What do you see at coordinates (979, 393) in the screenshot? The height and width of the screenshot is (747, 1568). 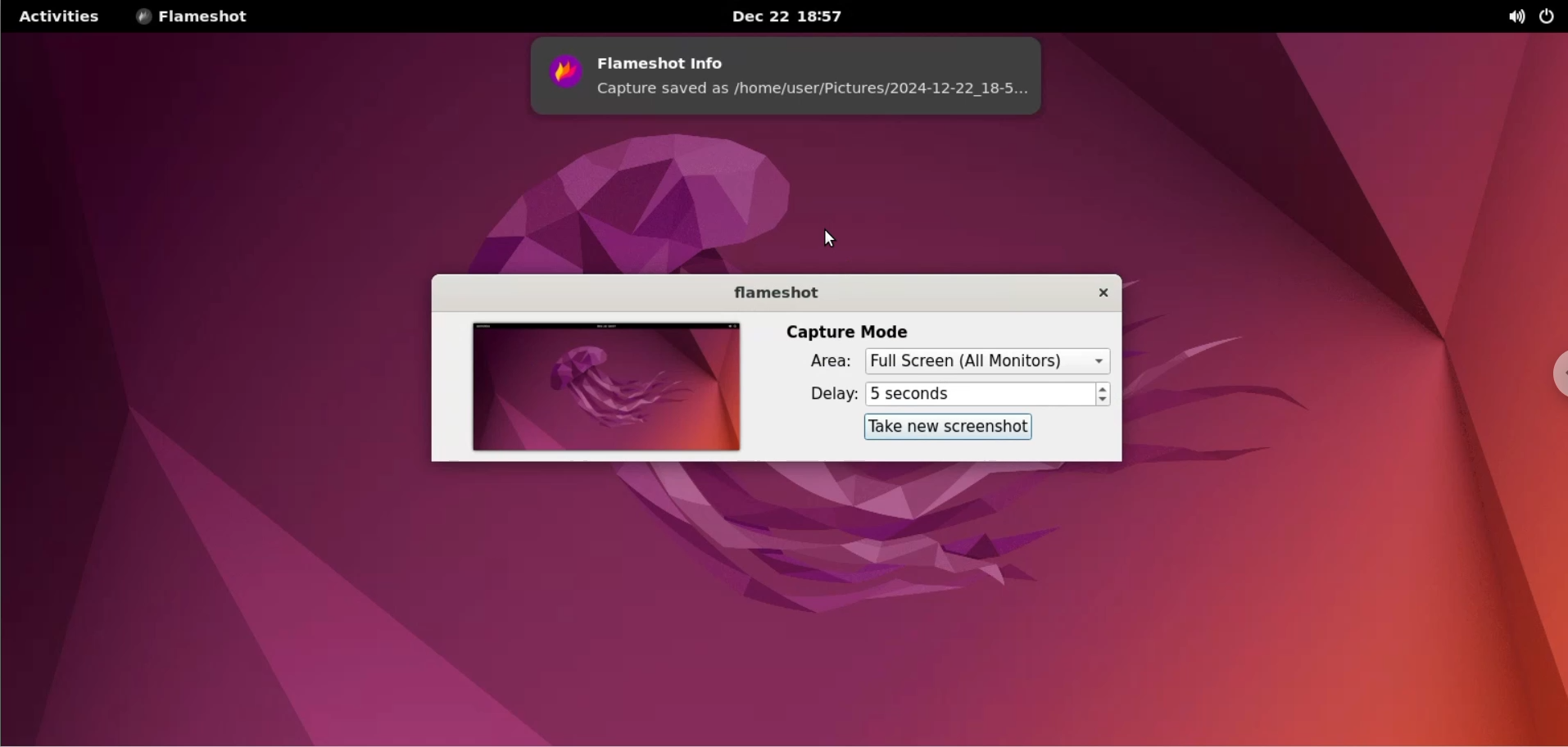 I see `5 seconds` at bounding box center [979, 393].